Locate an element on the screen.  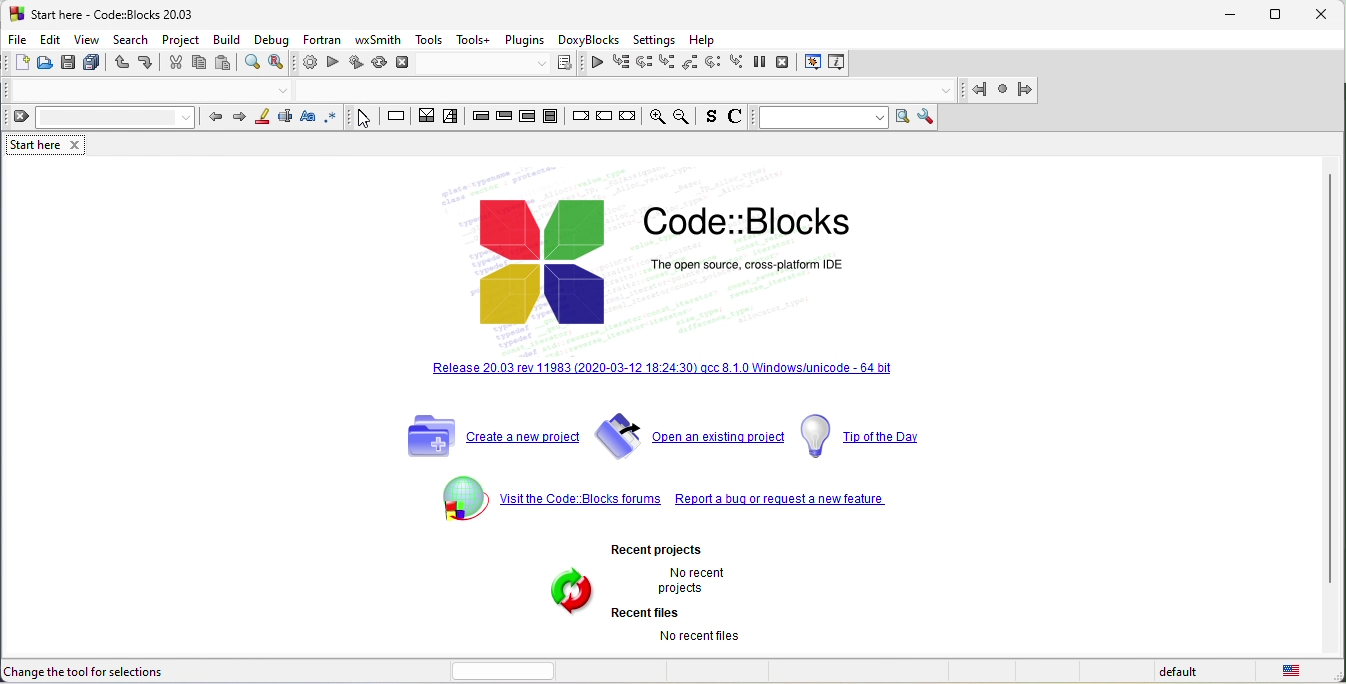
select target dialog is located at coordinates (505, 65).